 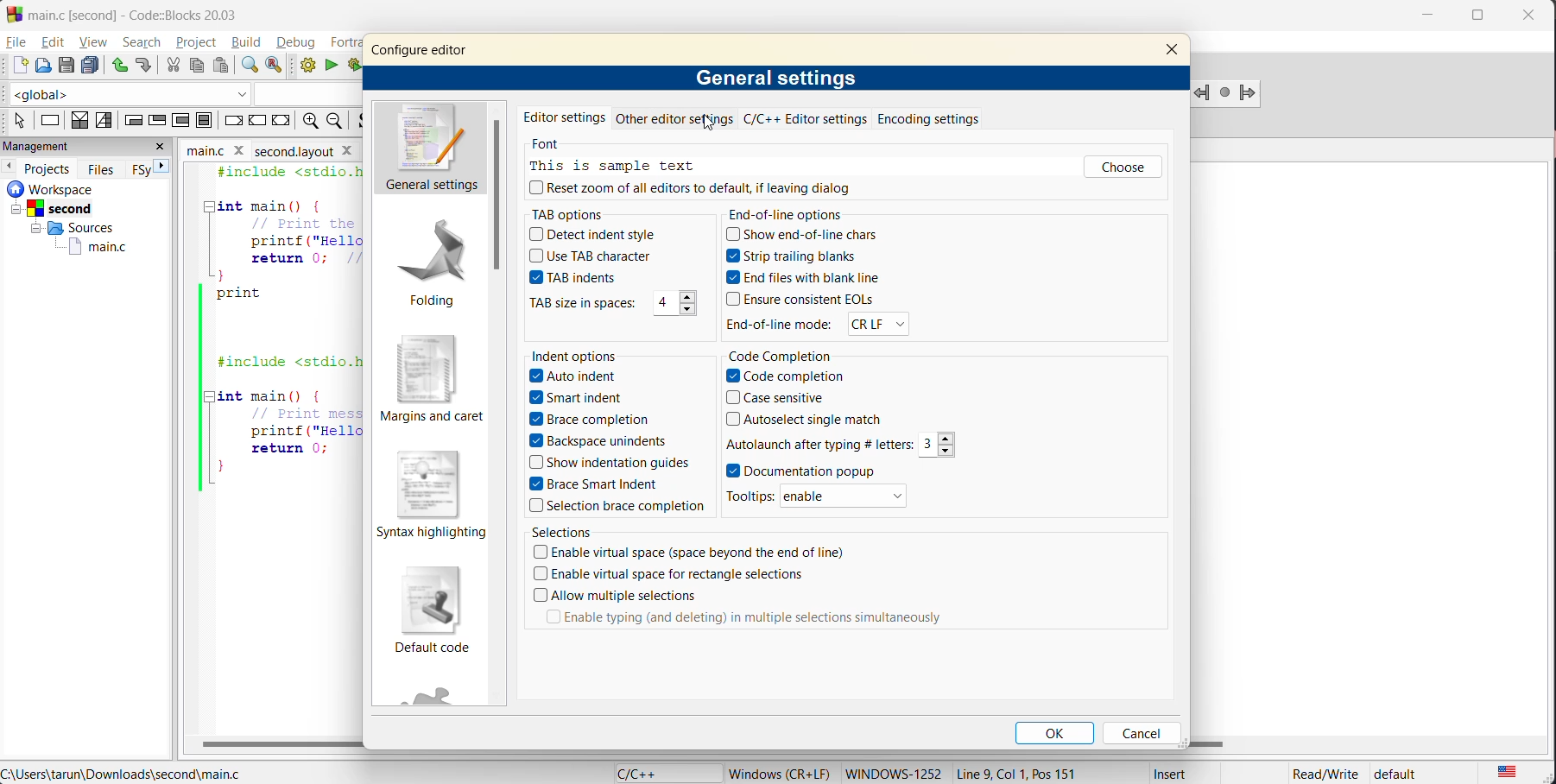 What do you see at coordinates (596, 484) in the screenshot?
I see `Brace Smart indent` at bounding box center [596, 484].